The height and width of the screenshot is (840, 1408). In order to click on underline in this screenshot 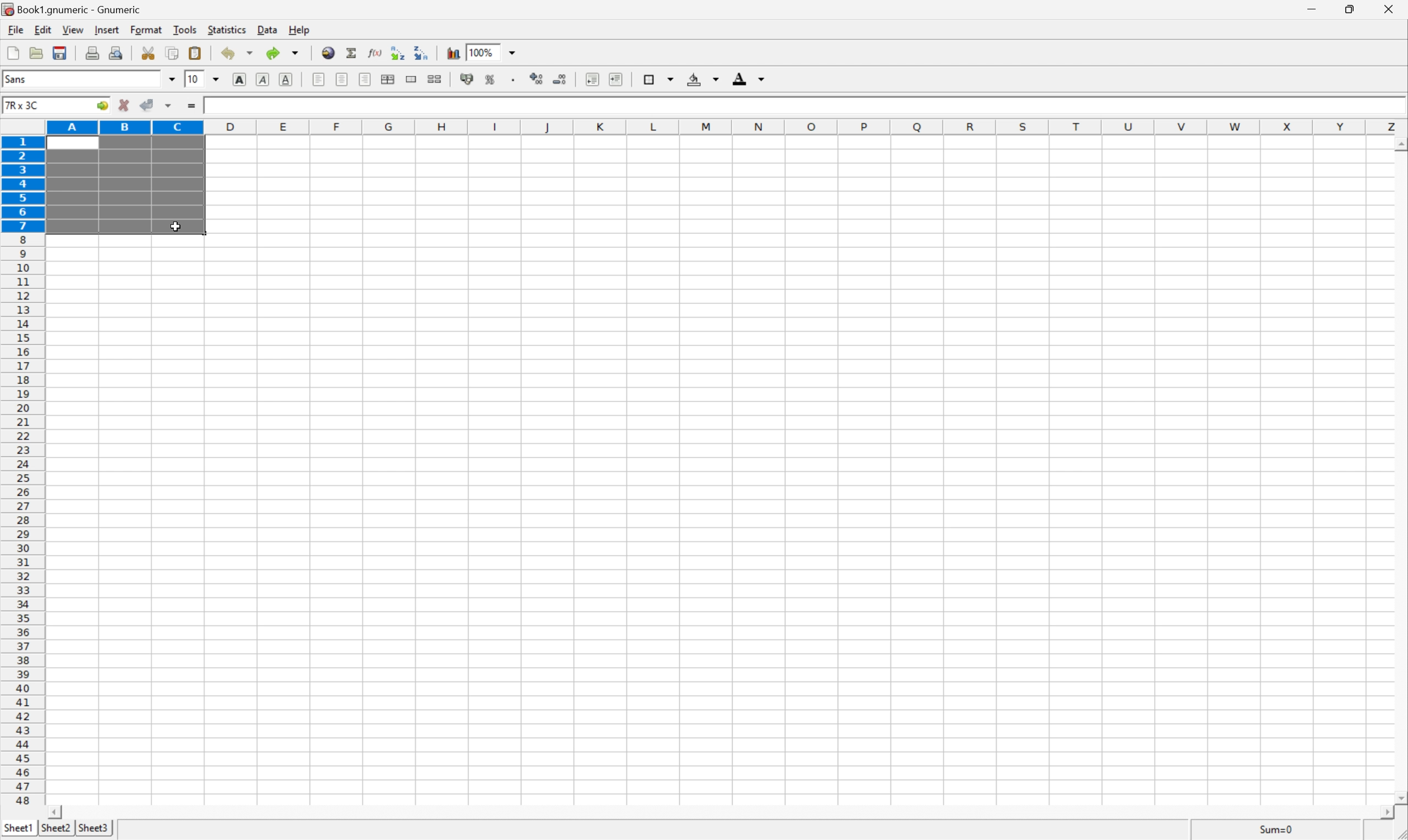, I will do `click(287, 78)`.